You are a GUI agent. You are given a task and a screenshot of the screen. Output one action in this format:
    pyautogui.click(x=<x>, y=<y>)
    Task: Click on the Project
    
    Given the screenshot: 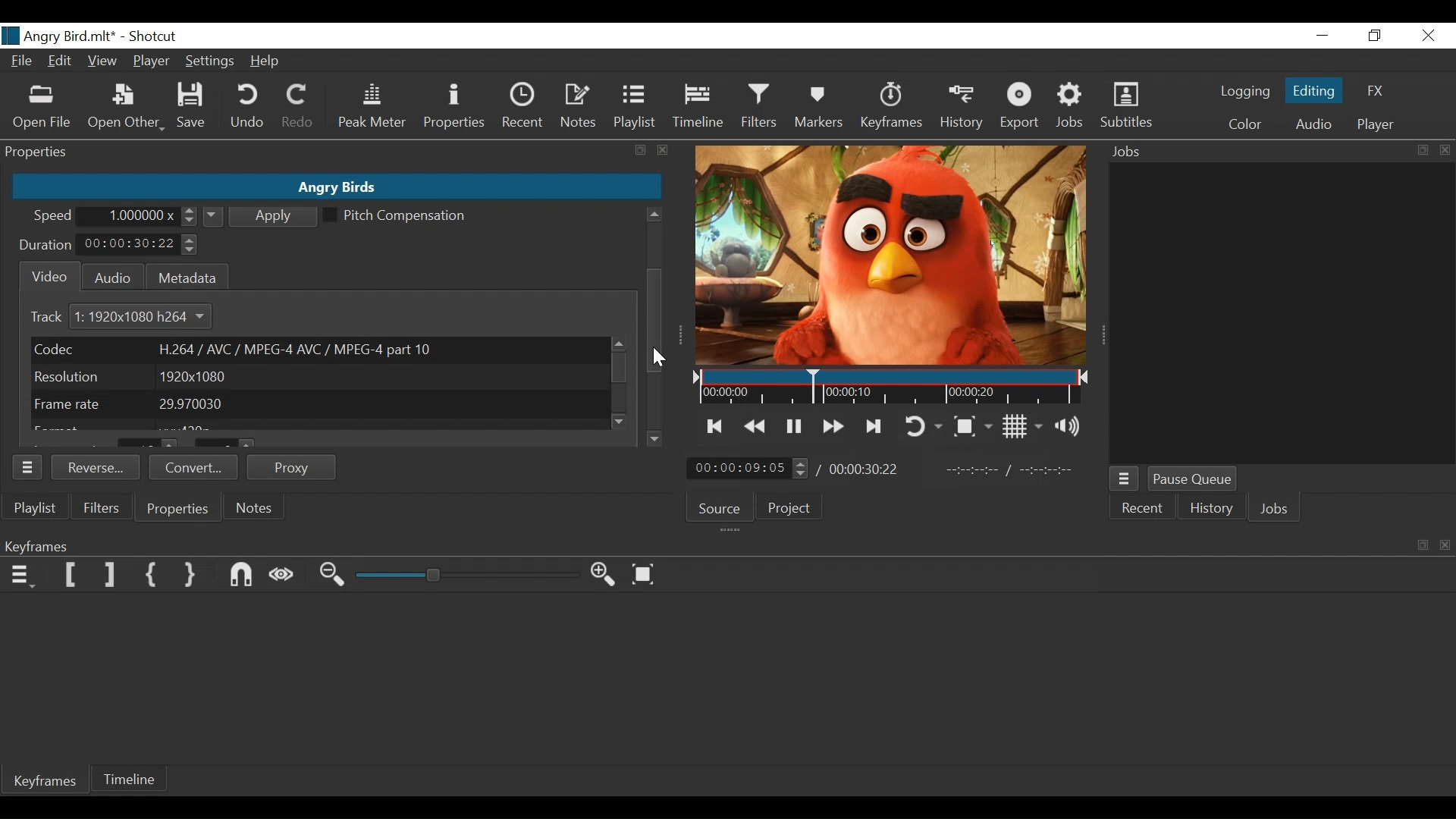 What is the action you would take?
    pyautogui.click(x=792, y=510)
    